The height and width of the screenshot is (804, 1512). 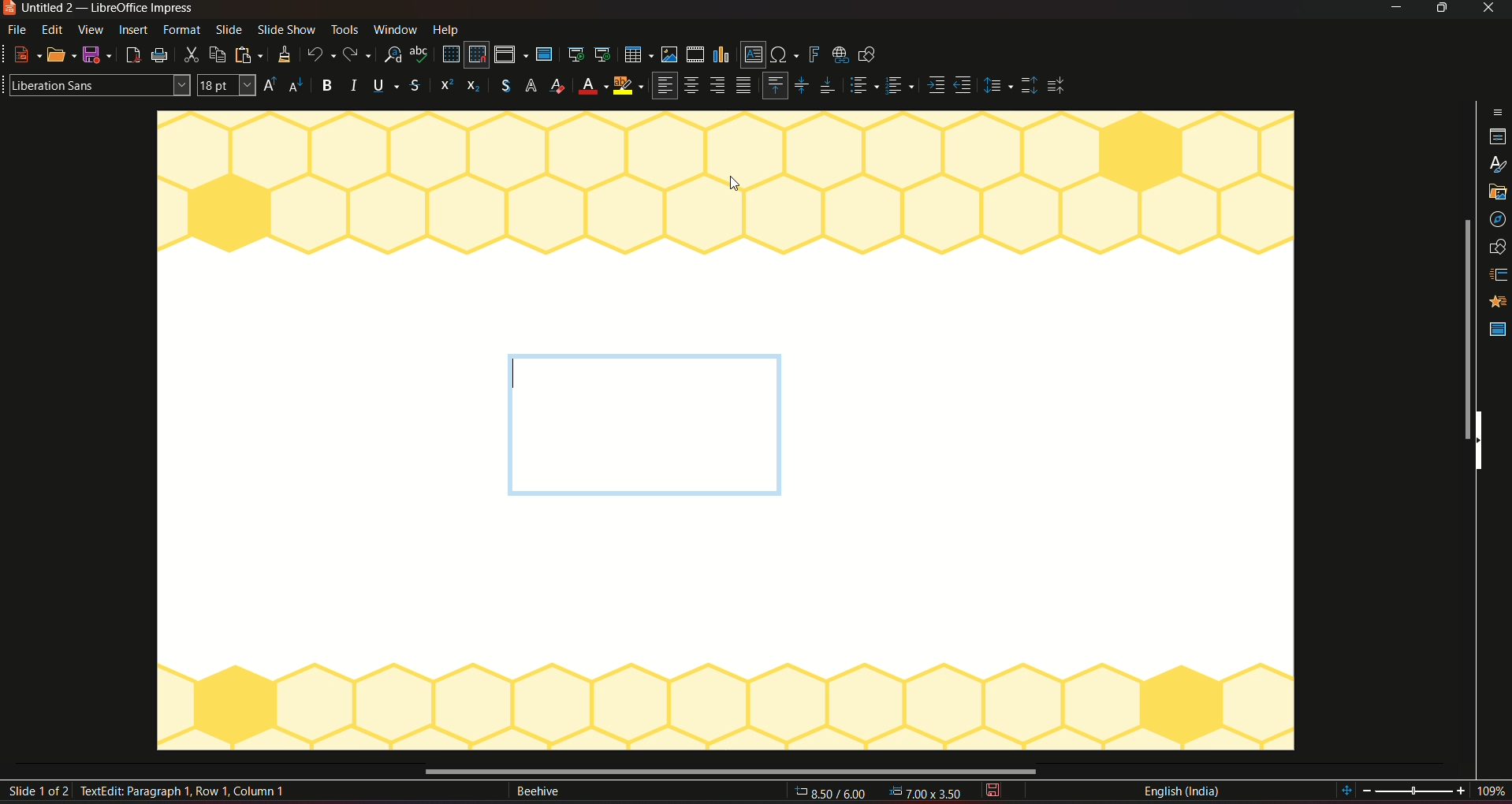 What do you see at coordinates (218, 54) in the screenshot?
I see `copy` at bounding box center [218, 54].